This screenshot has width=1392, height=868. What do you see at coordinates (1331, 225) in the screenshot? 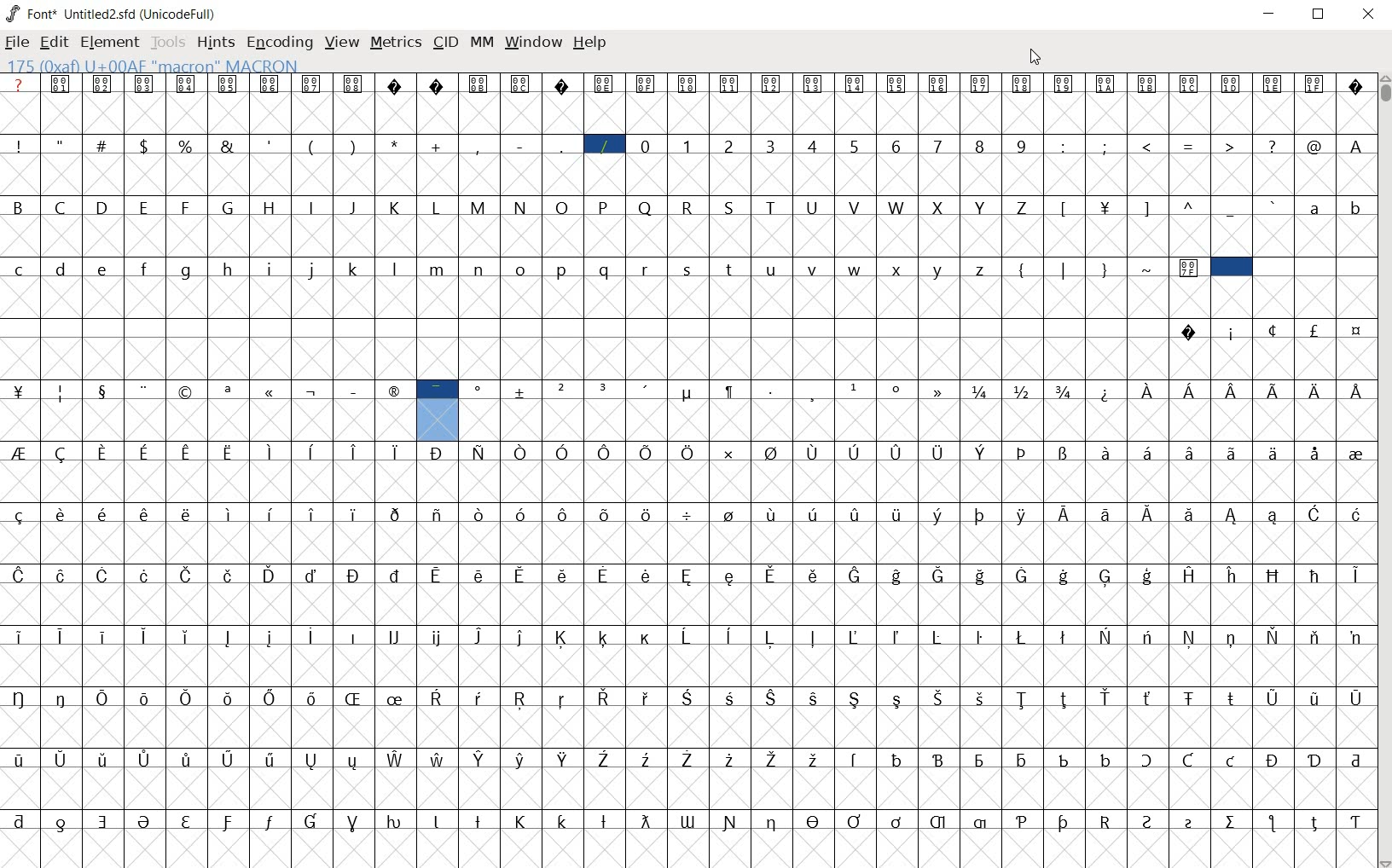
I see `alphabets` at bounding box center [1331, 225].